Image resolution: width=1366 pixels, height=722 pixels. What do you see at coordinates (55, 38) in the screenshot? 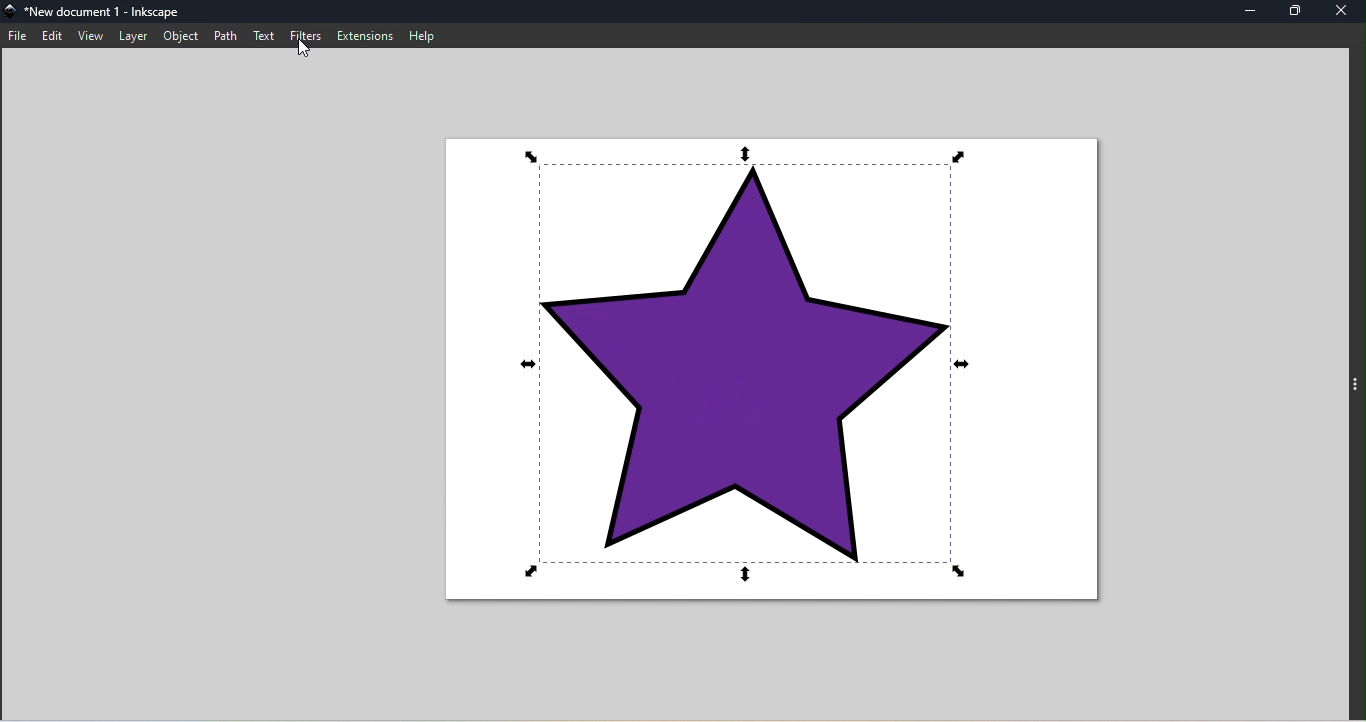
I see `Edit` at bounding box center [55, 38].